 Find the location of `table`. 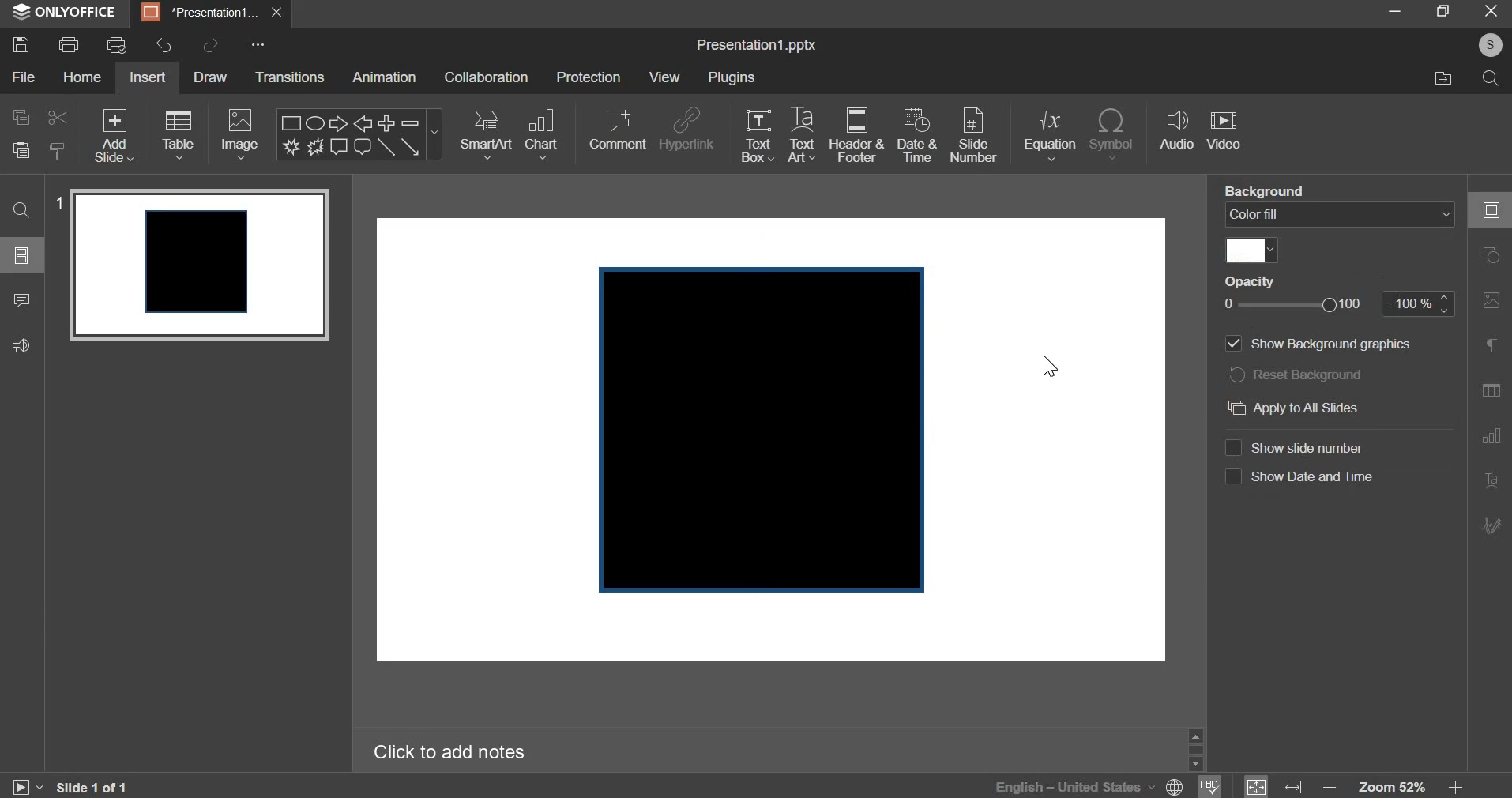

table is located at coordinates (179, 134).